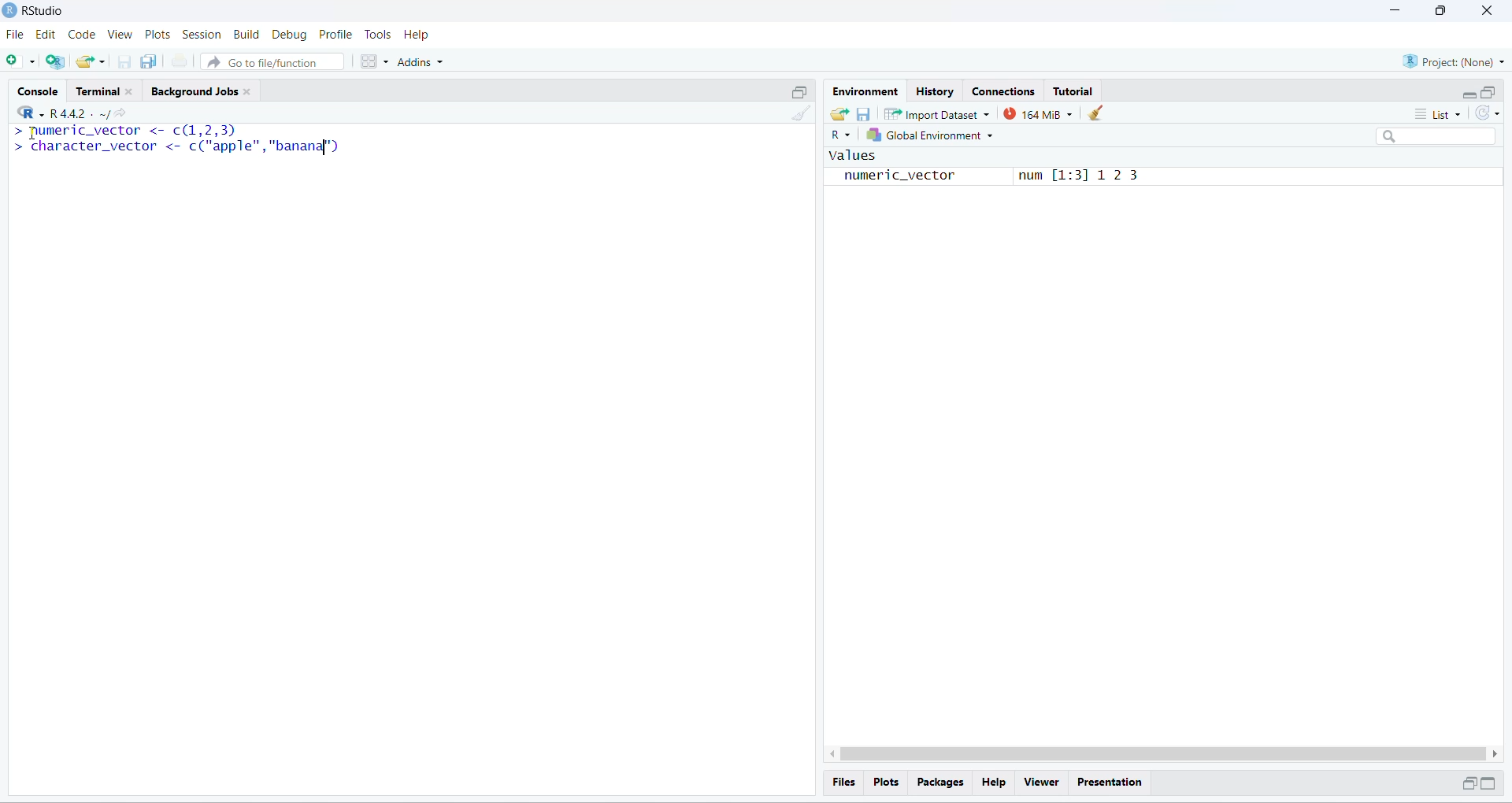 The height and width of the screenshot is (803, 1512). Describe the element at coordinates (1392, 10) in the screenshot. I see `minimize` at that location.